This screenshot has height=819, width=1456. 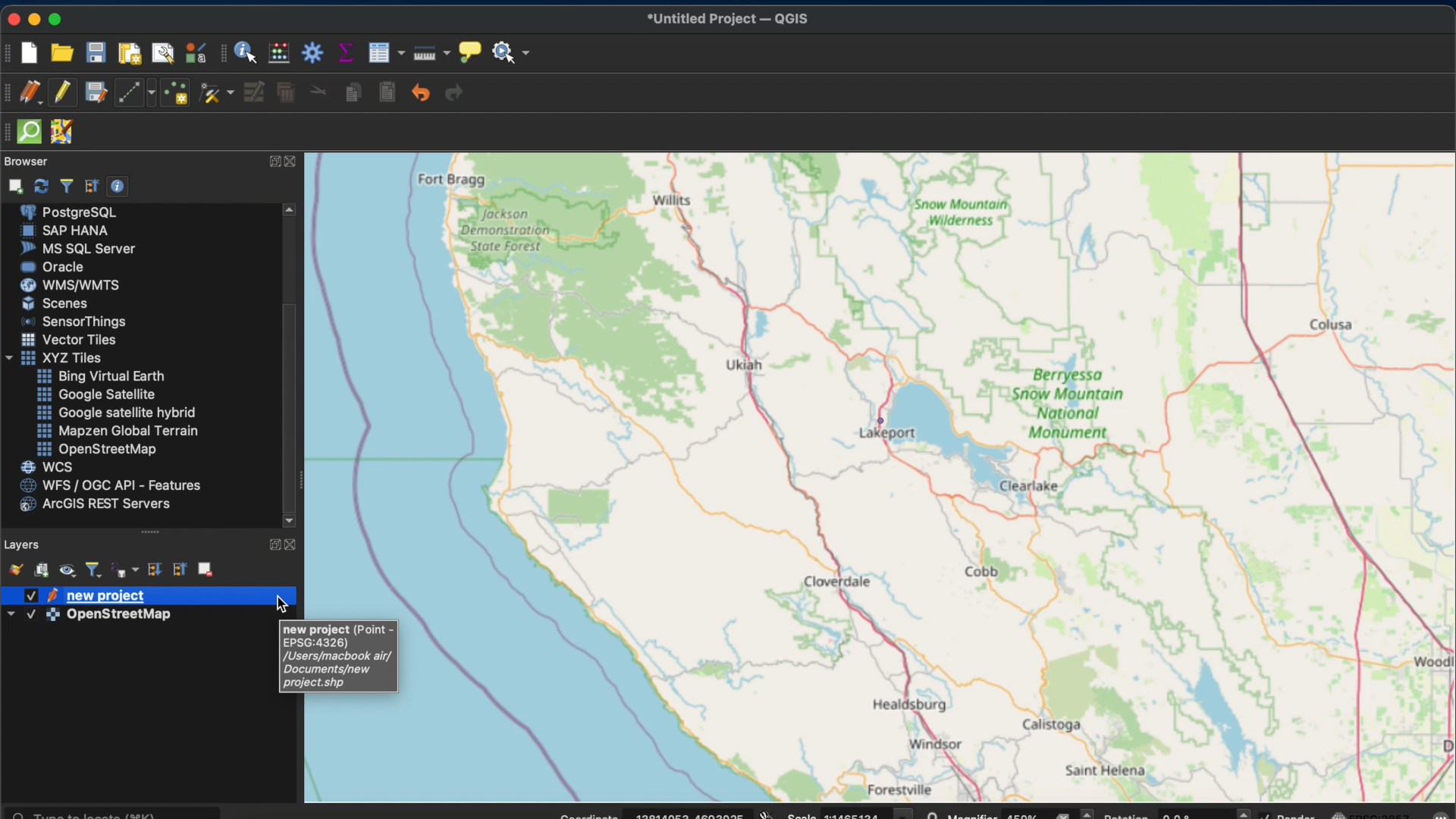 What do you see at coordinates (54, 303) in the screenshot?
I see `scenes` at bounding box center [54, 303].